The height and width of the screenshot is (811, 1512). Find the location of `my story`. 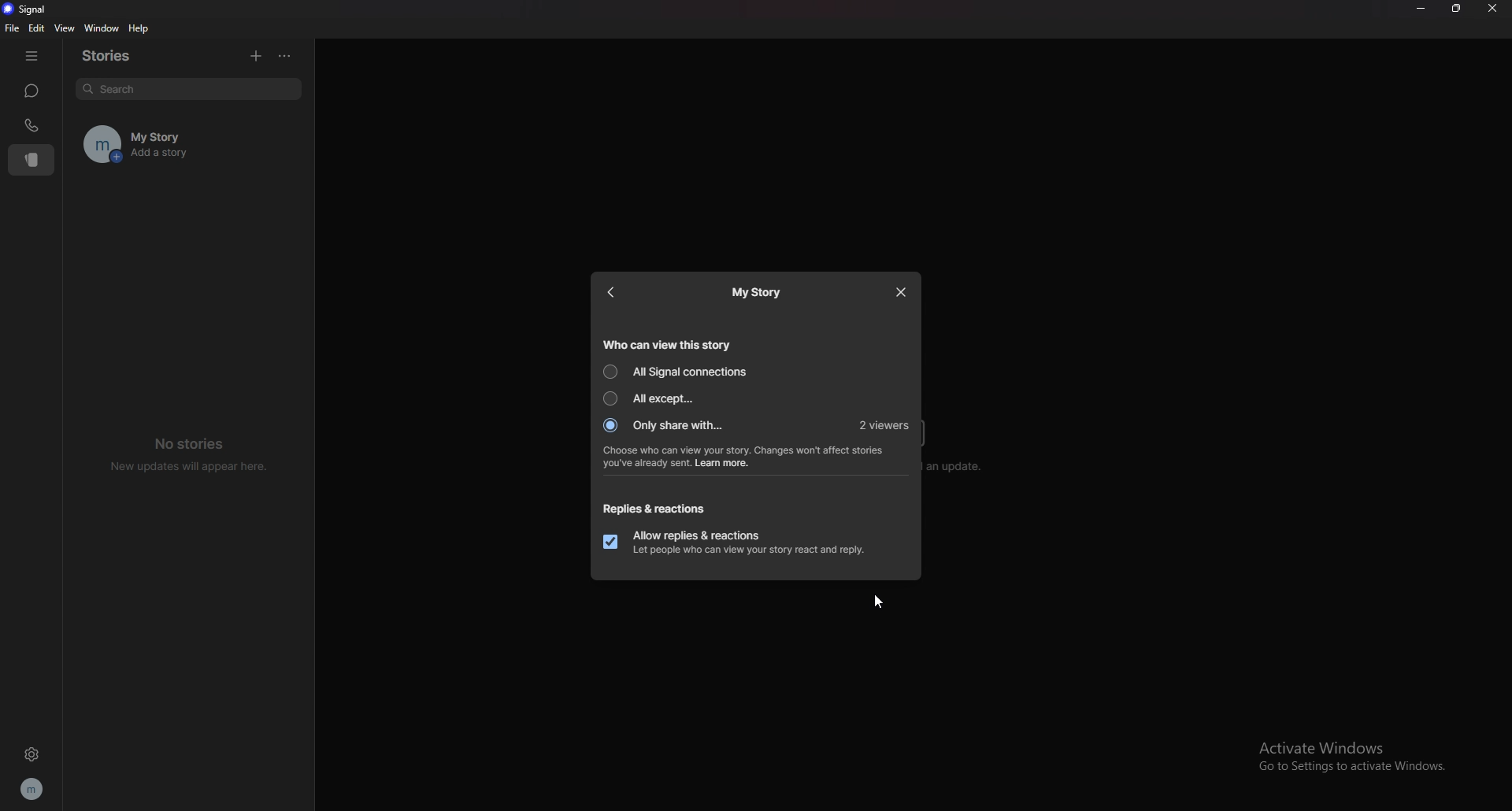

my story is located at coordinates (188, 145).